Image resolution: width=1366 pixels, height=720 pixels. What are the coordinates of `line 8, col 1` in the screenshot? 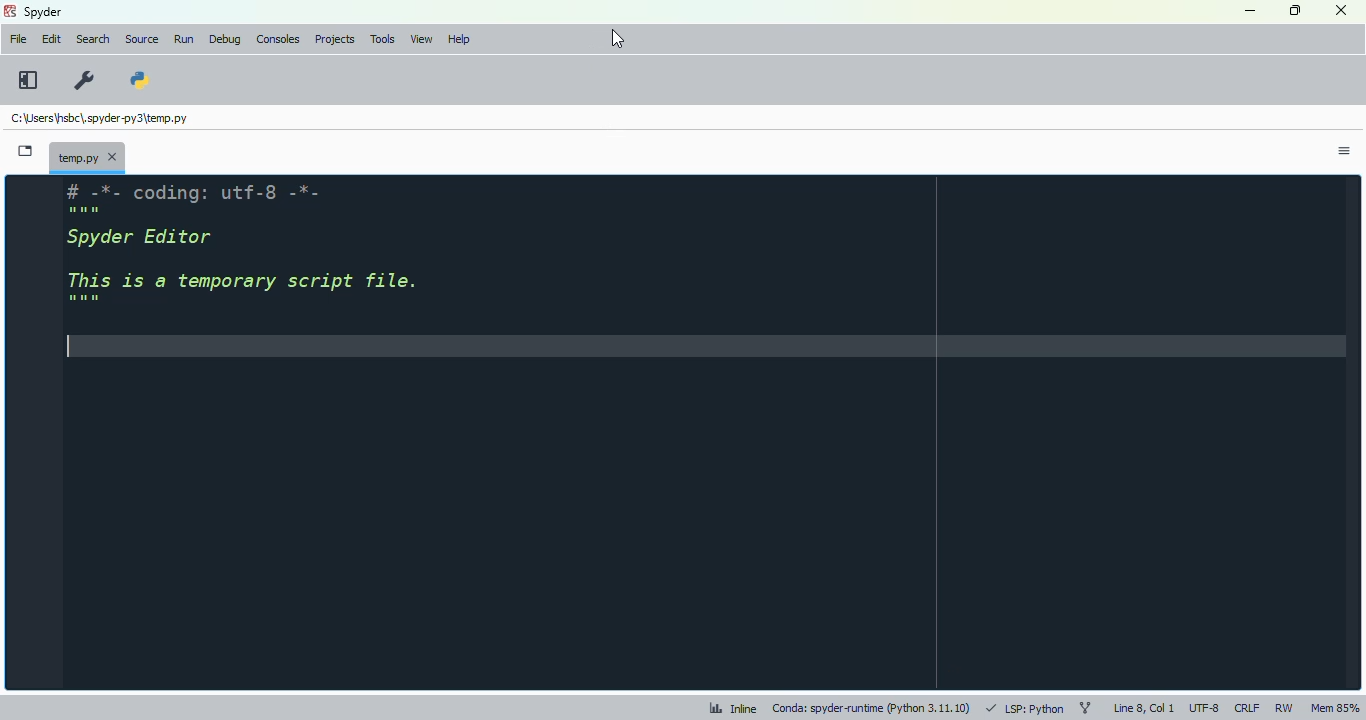 It's located at (1146, 710).